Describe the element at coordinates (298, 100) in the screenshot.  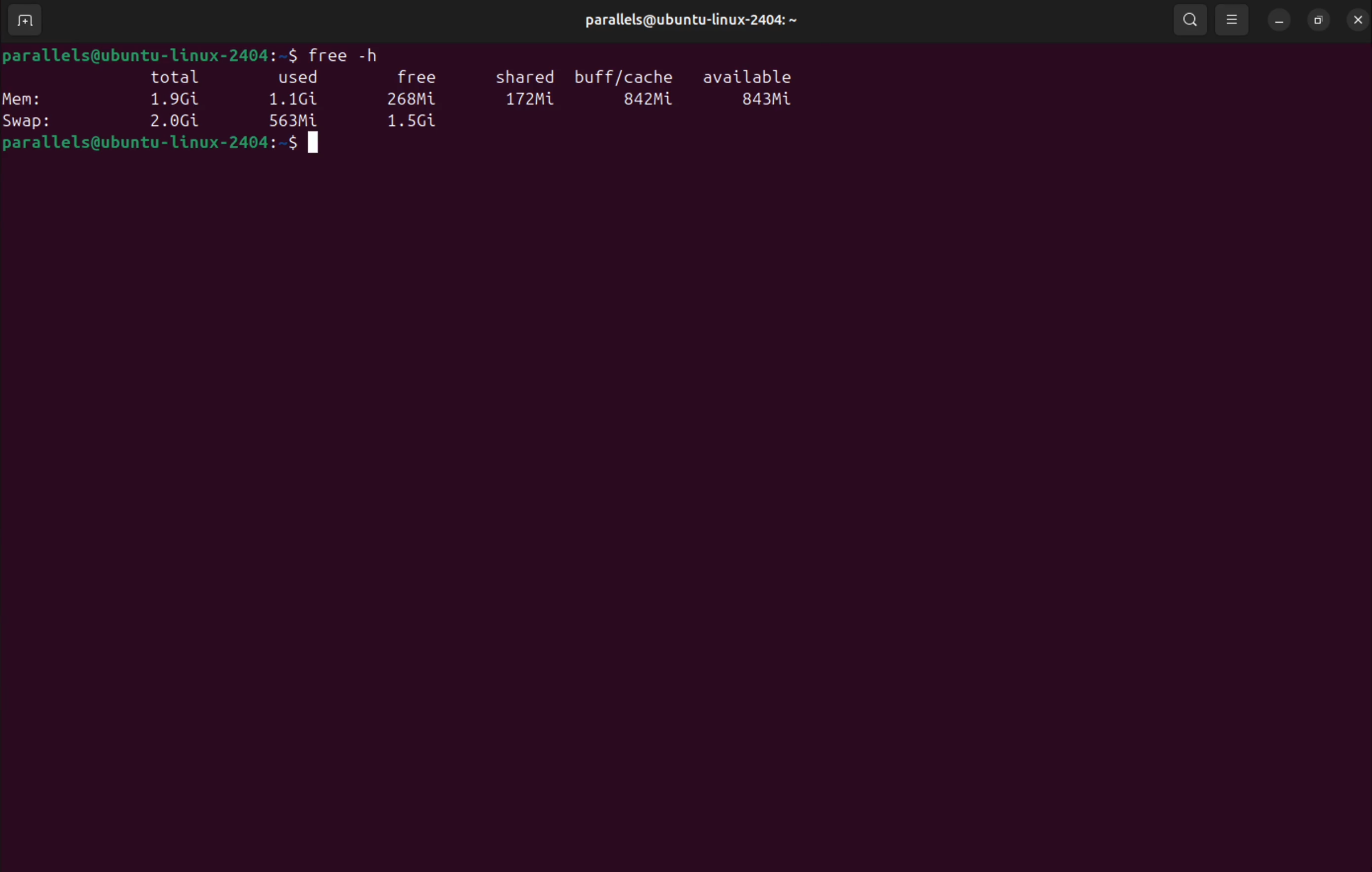
I see `1.1GI` at that location.